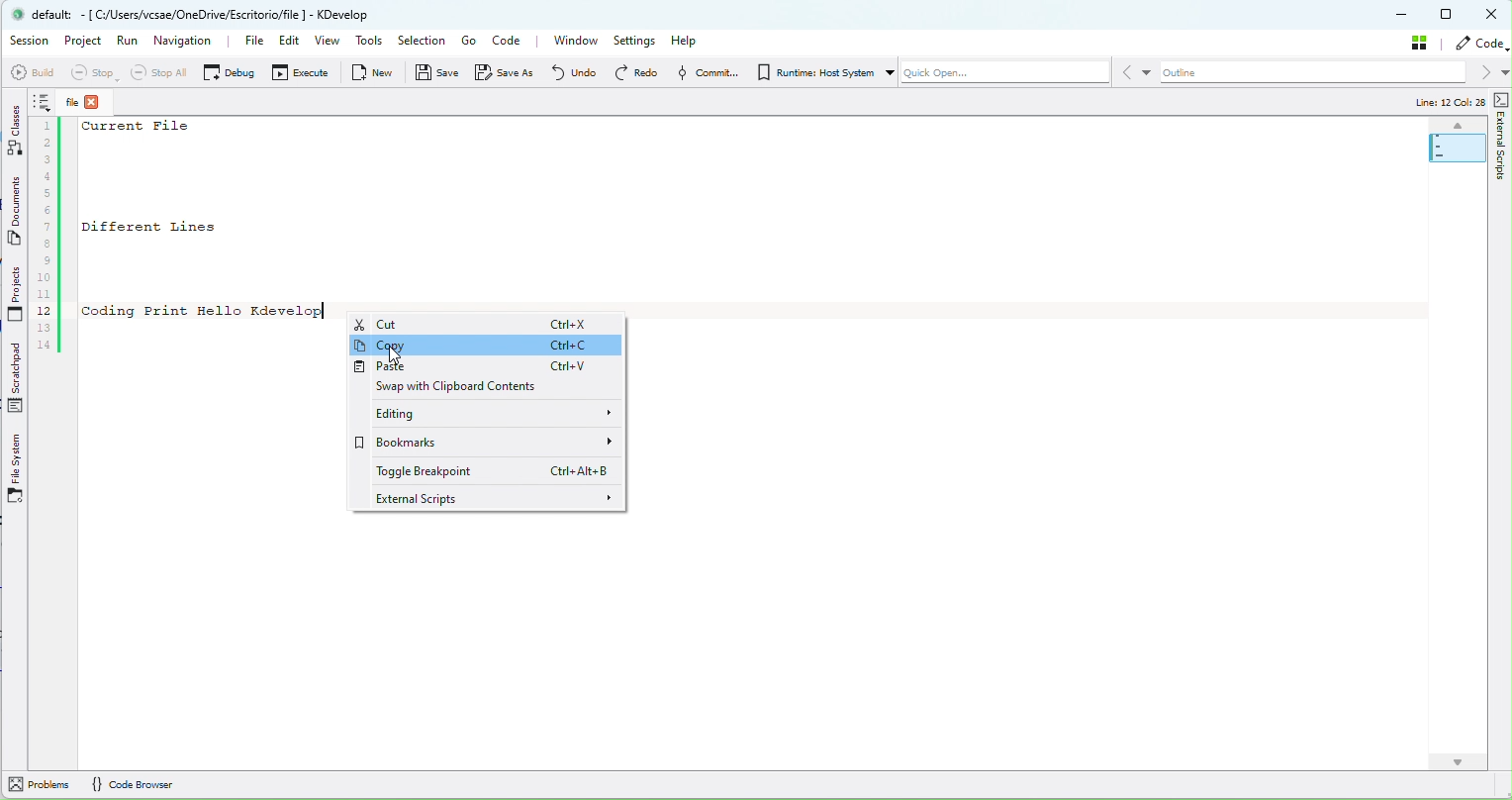 This screenshot has width=1512, height=800. Describe the element at coordinates (86, 43) in the screenshot. I see `Project` at that location.